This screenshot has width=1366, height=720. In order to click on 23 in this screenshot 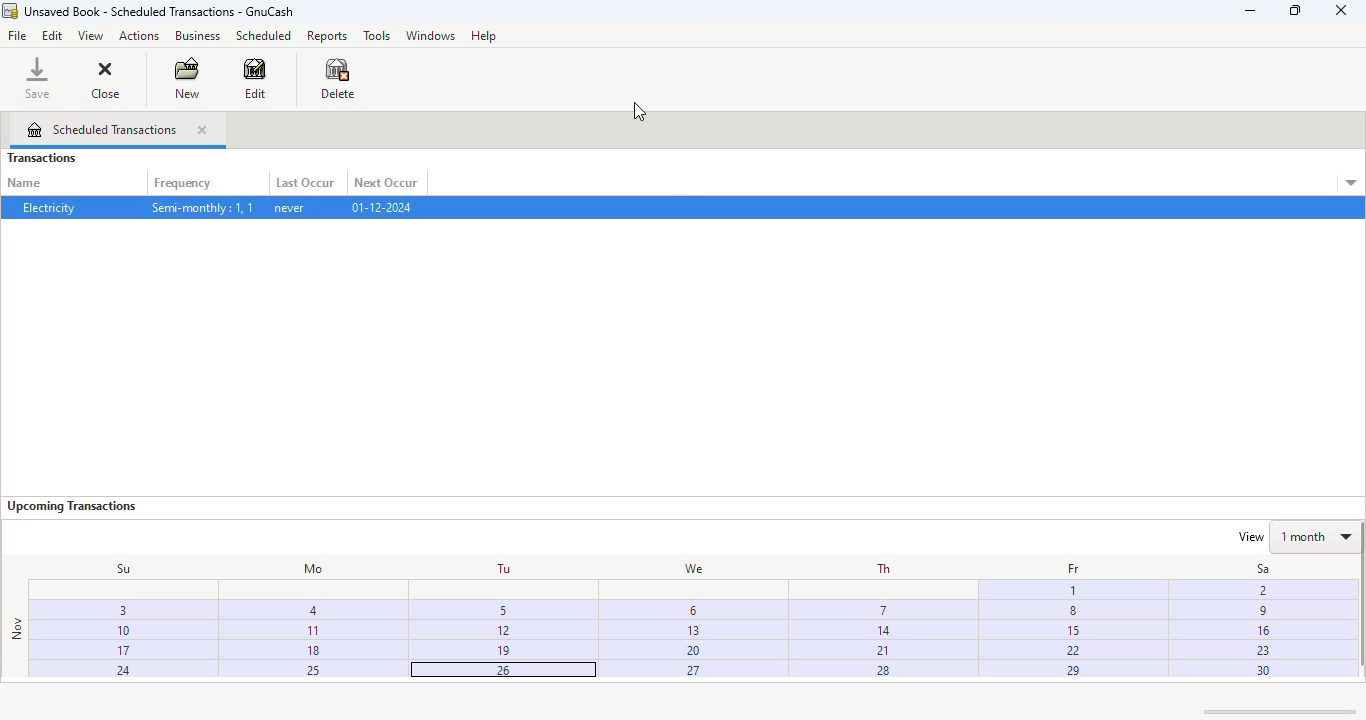, I will do `click(1260, 650)`.